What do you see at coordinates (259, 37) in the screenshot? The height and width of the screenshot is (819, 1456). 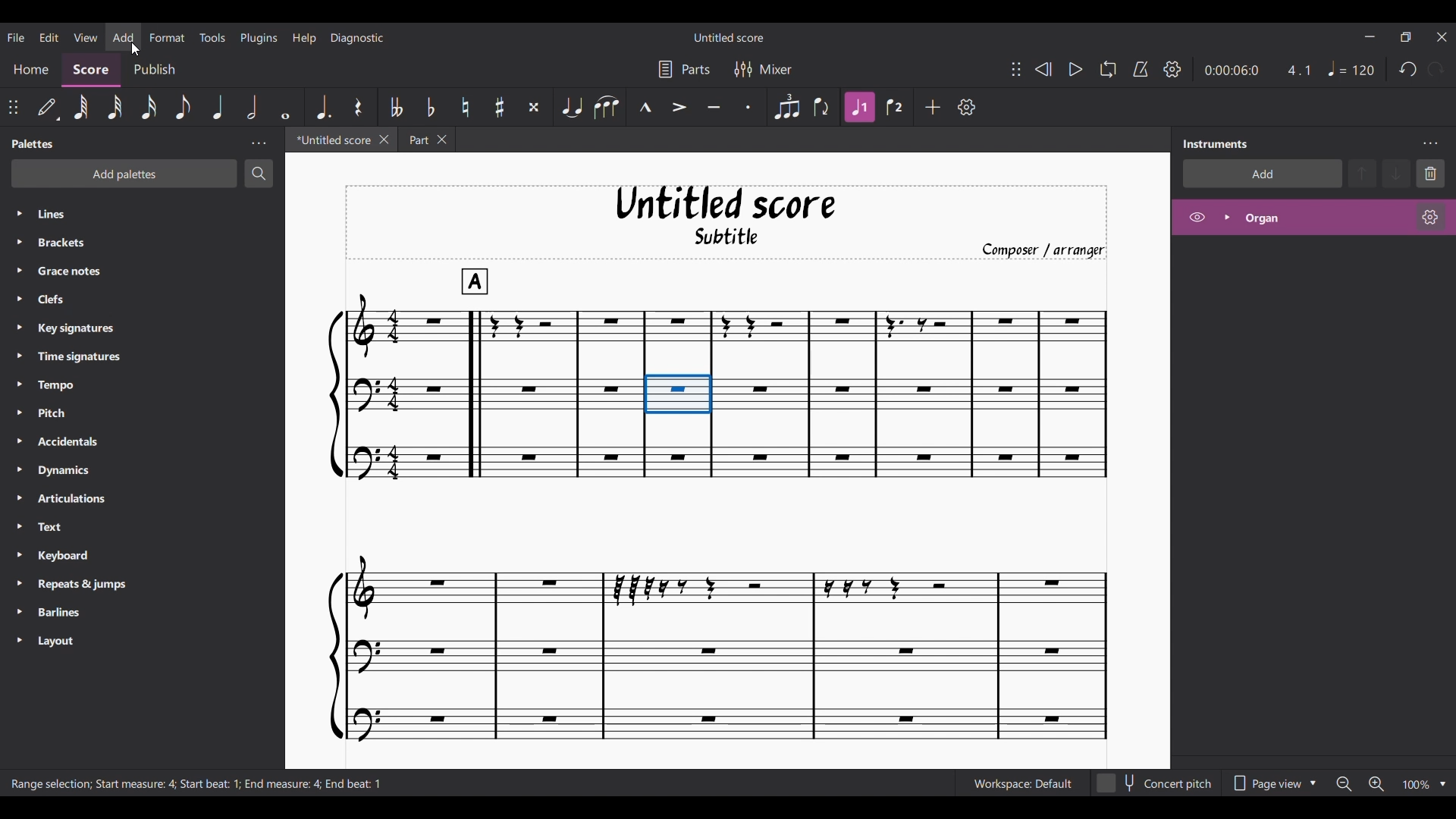 I see `Plugins menu` at bounding box center [259, 37].